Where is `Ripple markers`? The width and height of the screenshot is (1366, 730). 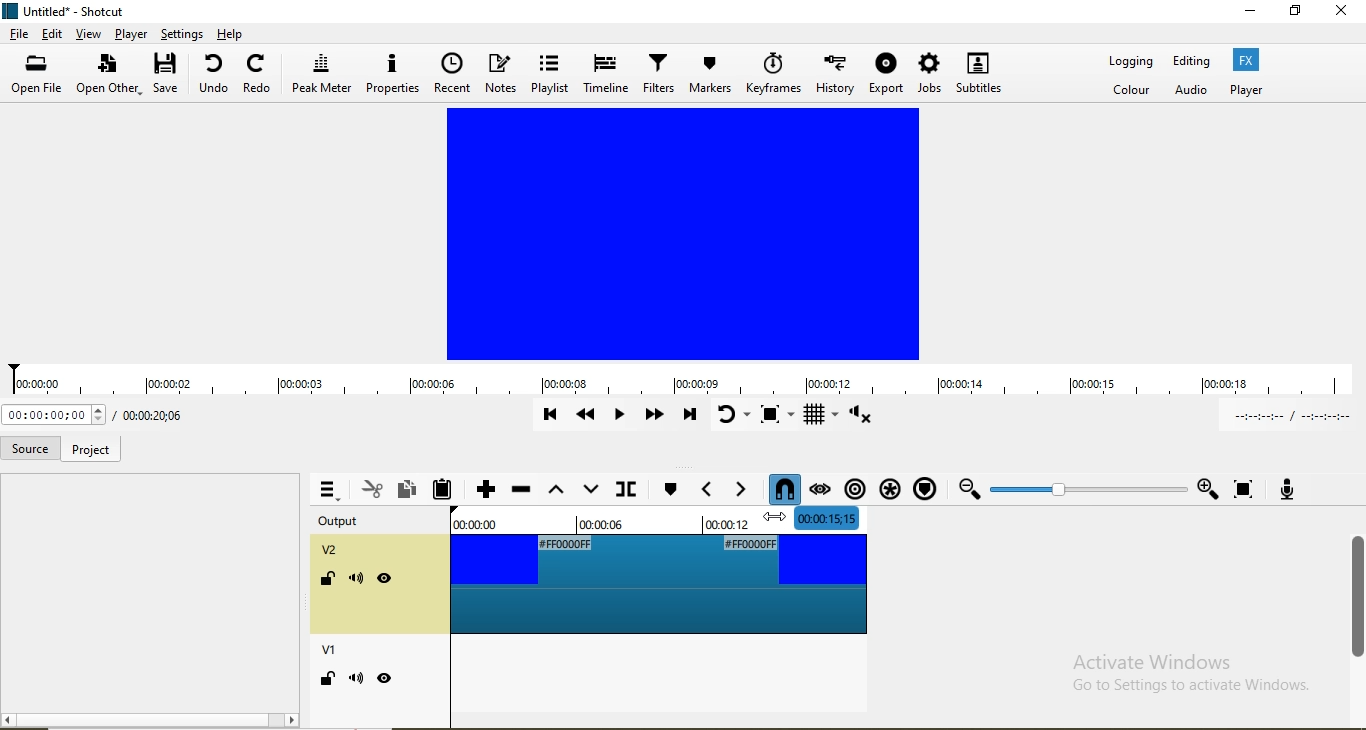 Ripple markers is located at coordinates (853, 484).